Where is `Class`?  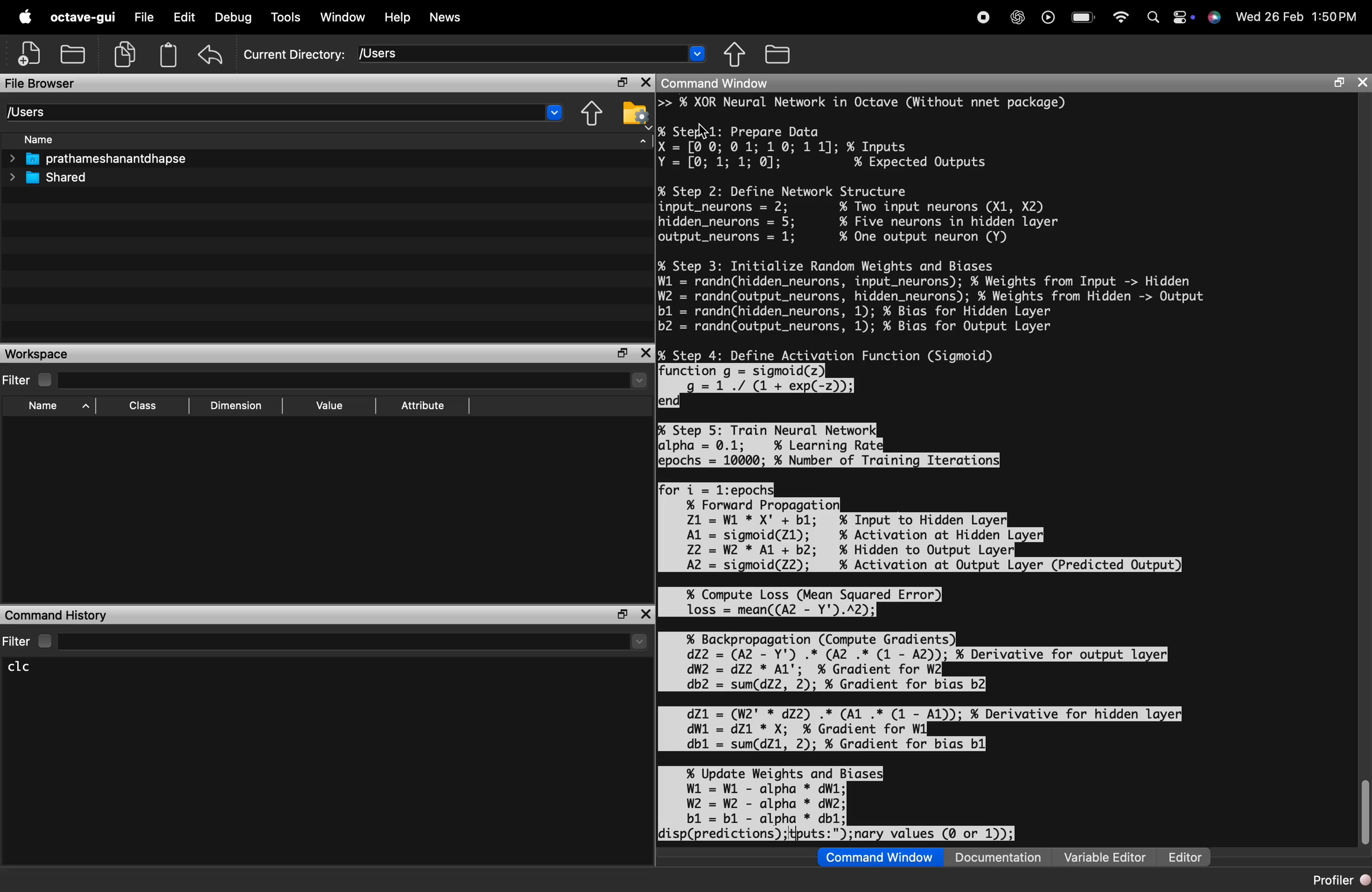
Class is located at coordinates (144, 407).